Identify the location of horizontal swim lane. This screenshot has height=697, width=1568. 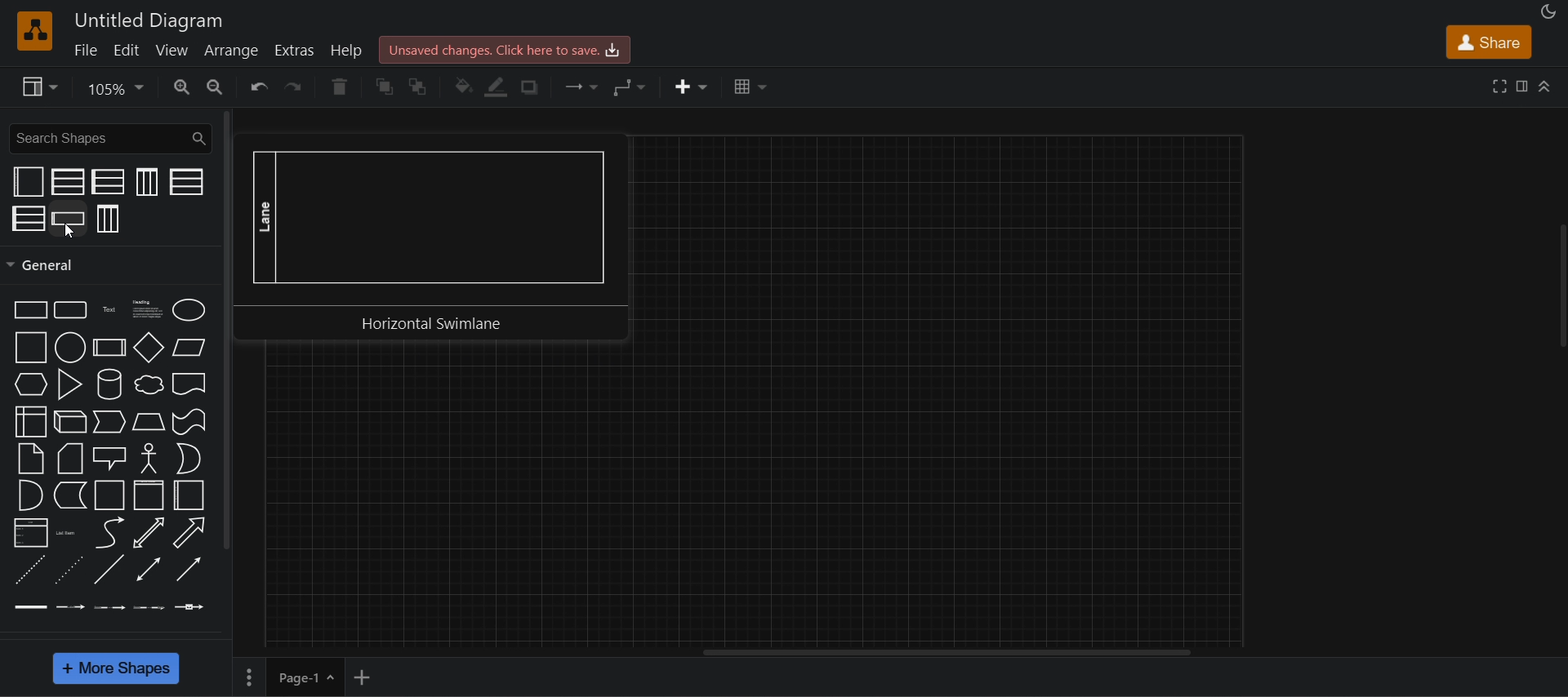
(69, 217).